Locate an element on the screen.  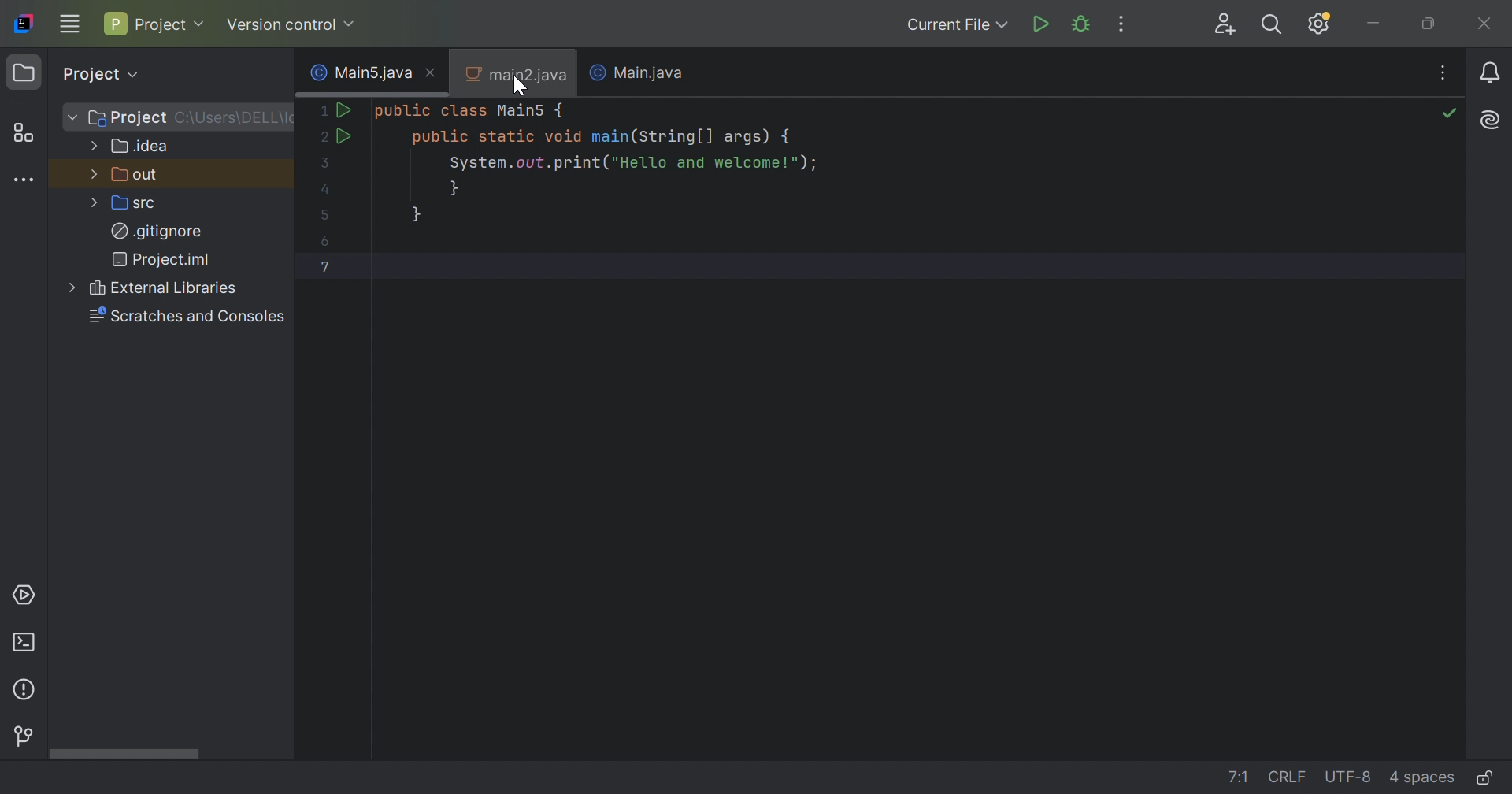
.gitignore is located at coordinates (156, 231).